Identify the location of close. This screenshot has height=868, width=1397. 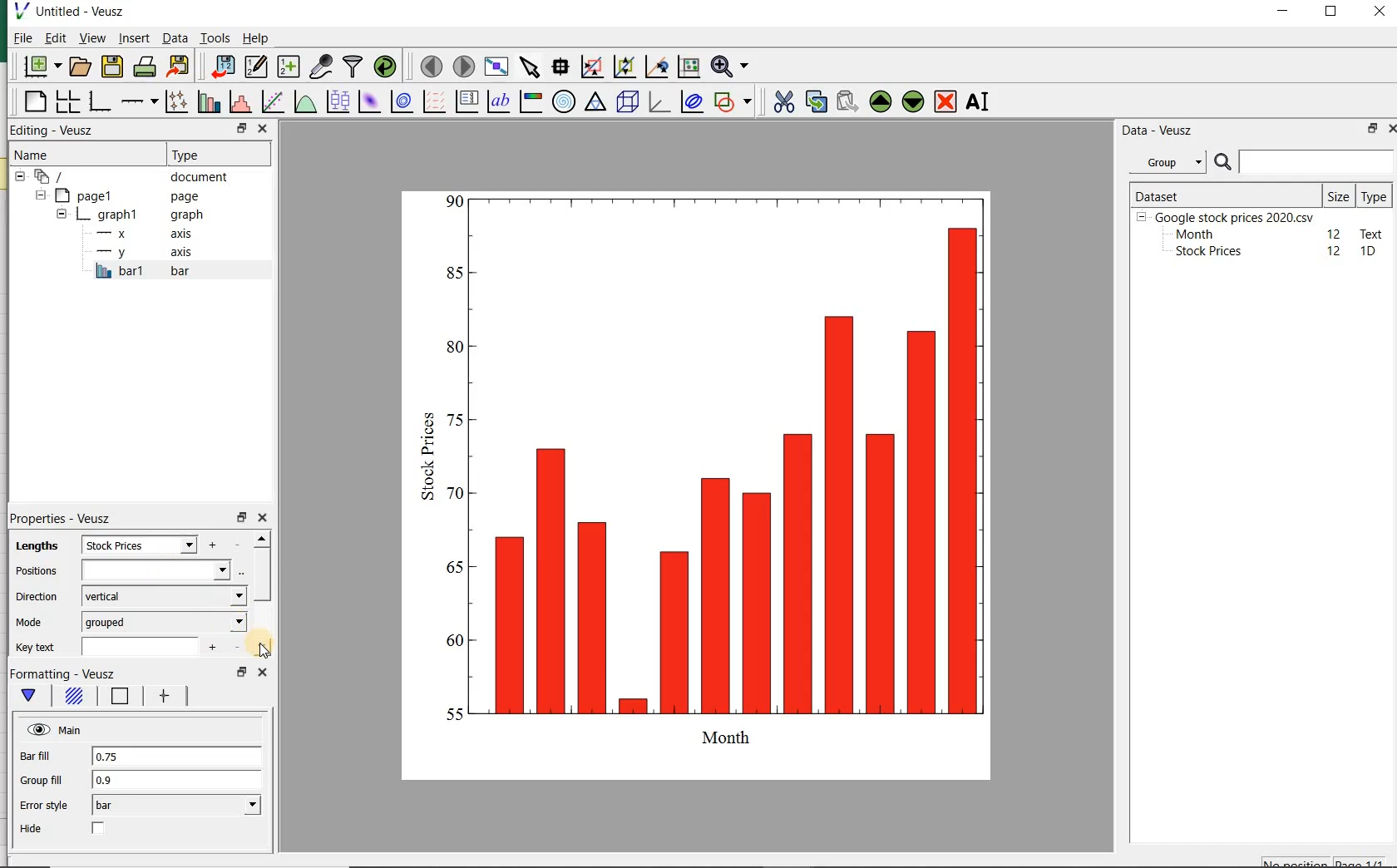
(263, 674).